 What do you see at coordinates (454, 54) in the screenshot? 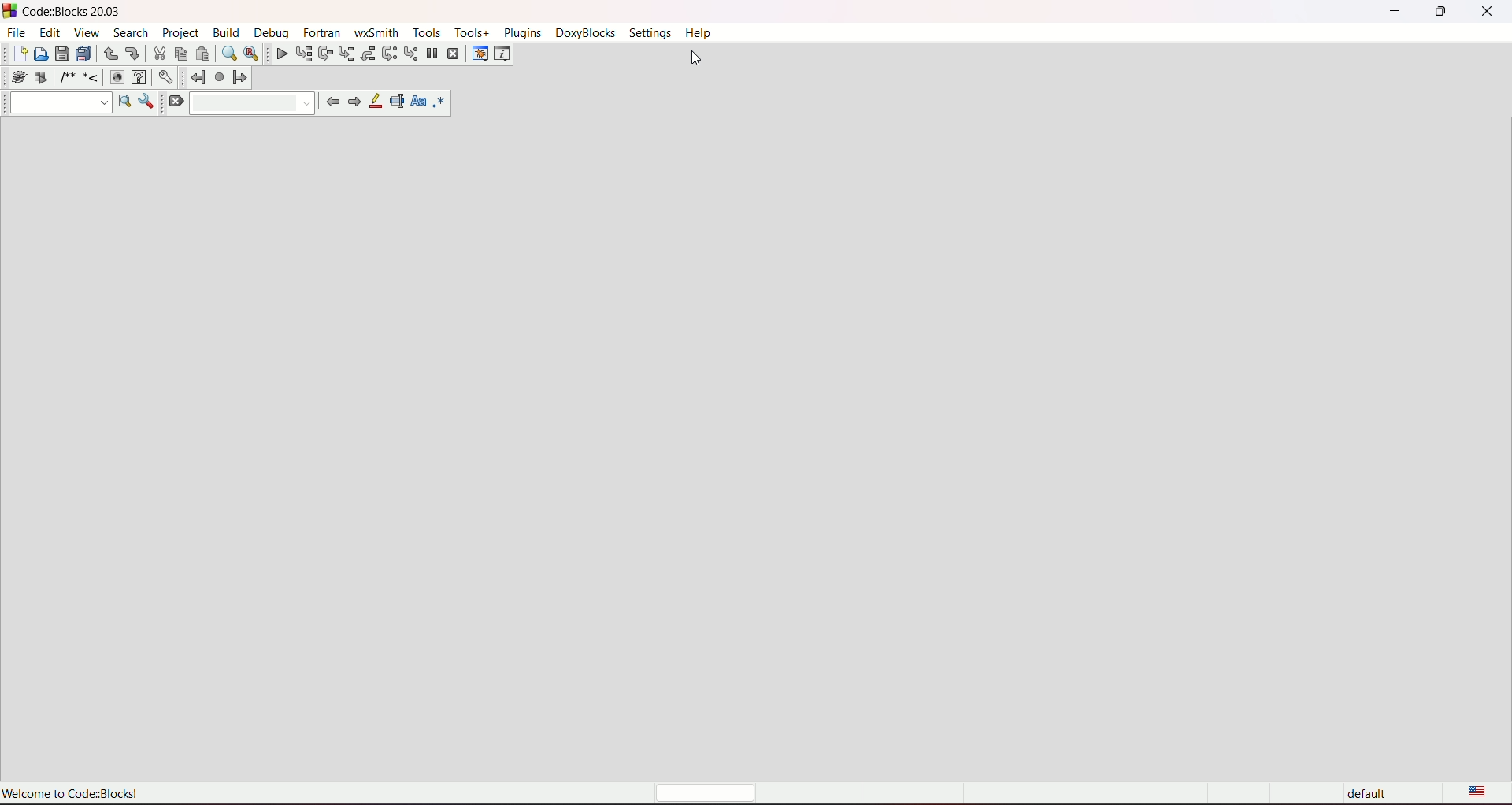
I see `stop debugger` at bounding box center [454, 54].